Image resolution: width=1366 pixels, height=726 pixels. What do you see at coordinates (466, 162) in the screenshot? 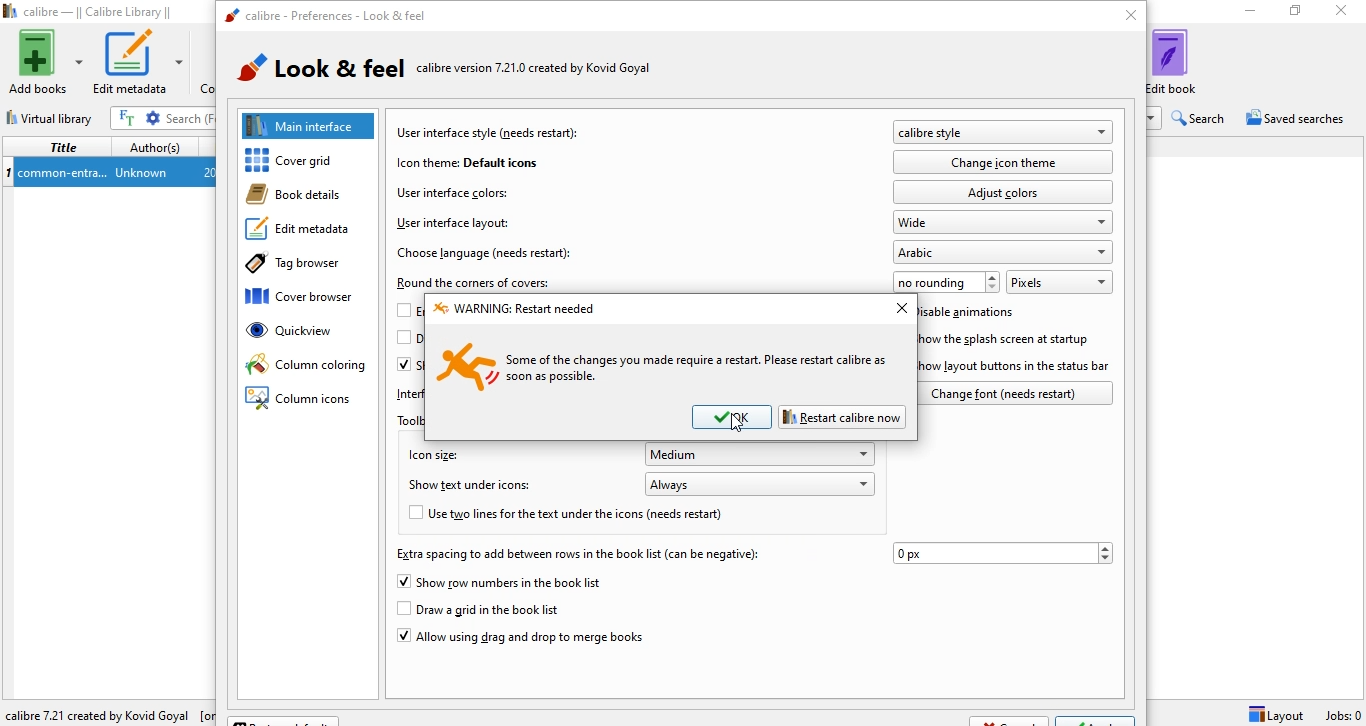
I see `icon theme: default icons` at bounding box center [466, 162].